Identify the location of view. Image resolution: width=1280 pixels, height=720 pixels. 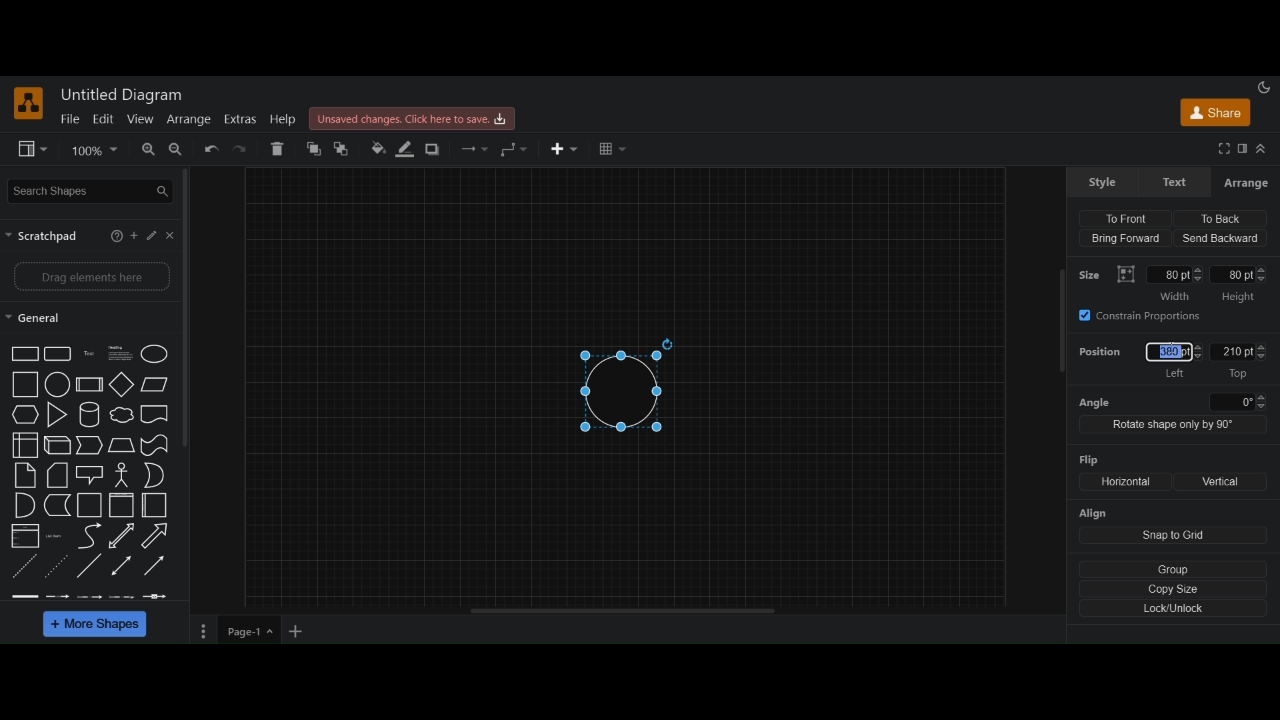
(34, 150).